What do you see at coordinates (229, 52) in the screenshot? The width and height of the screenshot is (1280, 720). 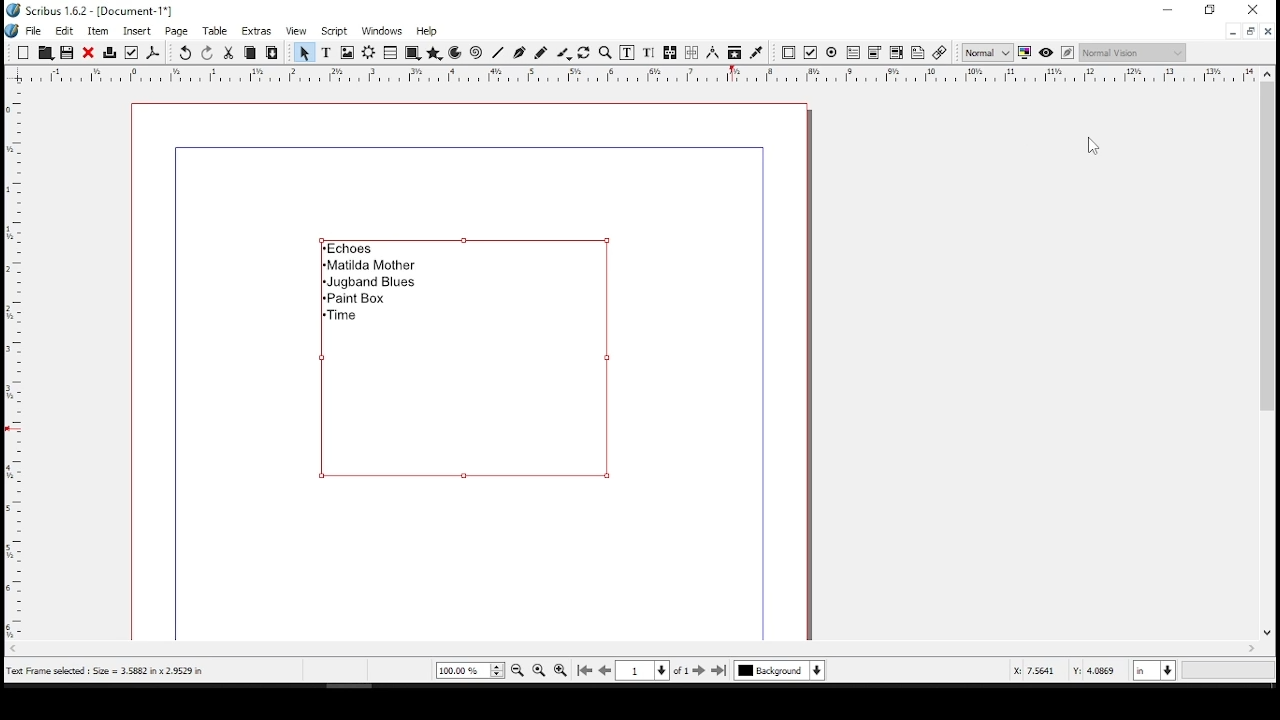 I see `cut` at bounding box center [229, 52].